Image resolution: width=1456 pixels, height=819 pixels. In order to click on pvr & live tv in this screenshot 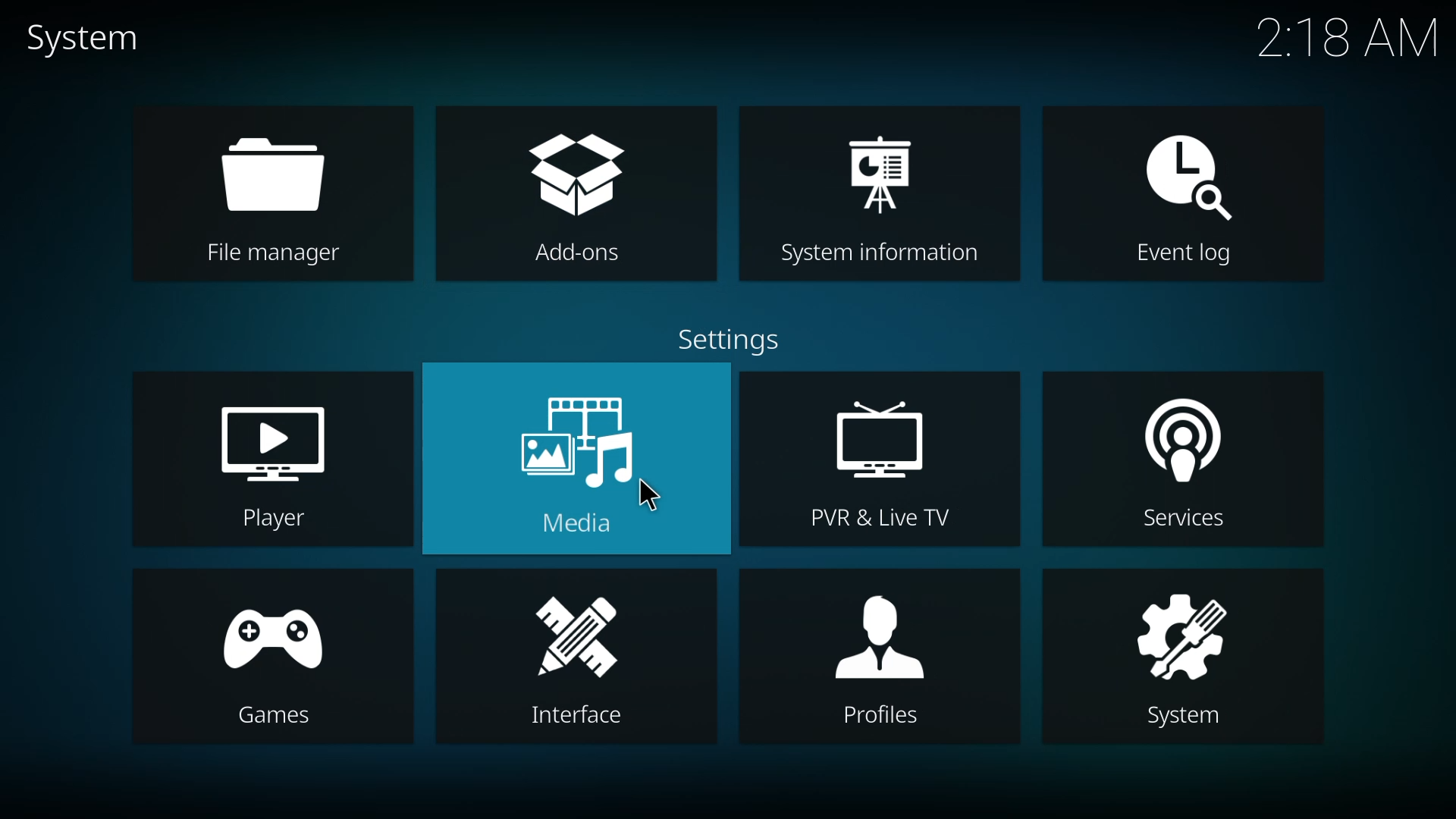, I will do `click(887, 458)`.